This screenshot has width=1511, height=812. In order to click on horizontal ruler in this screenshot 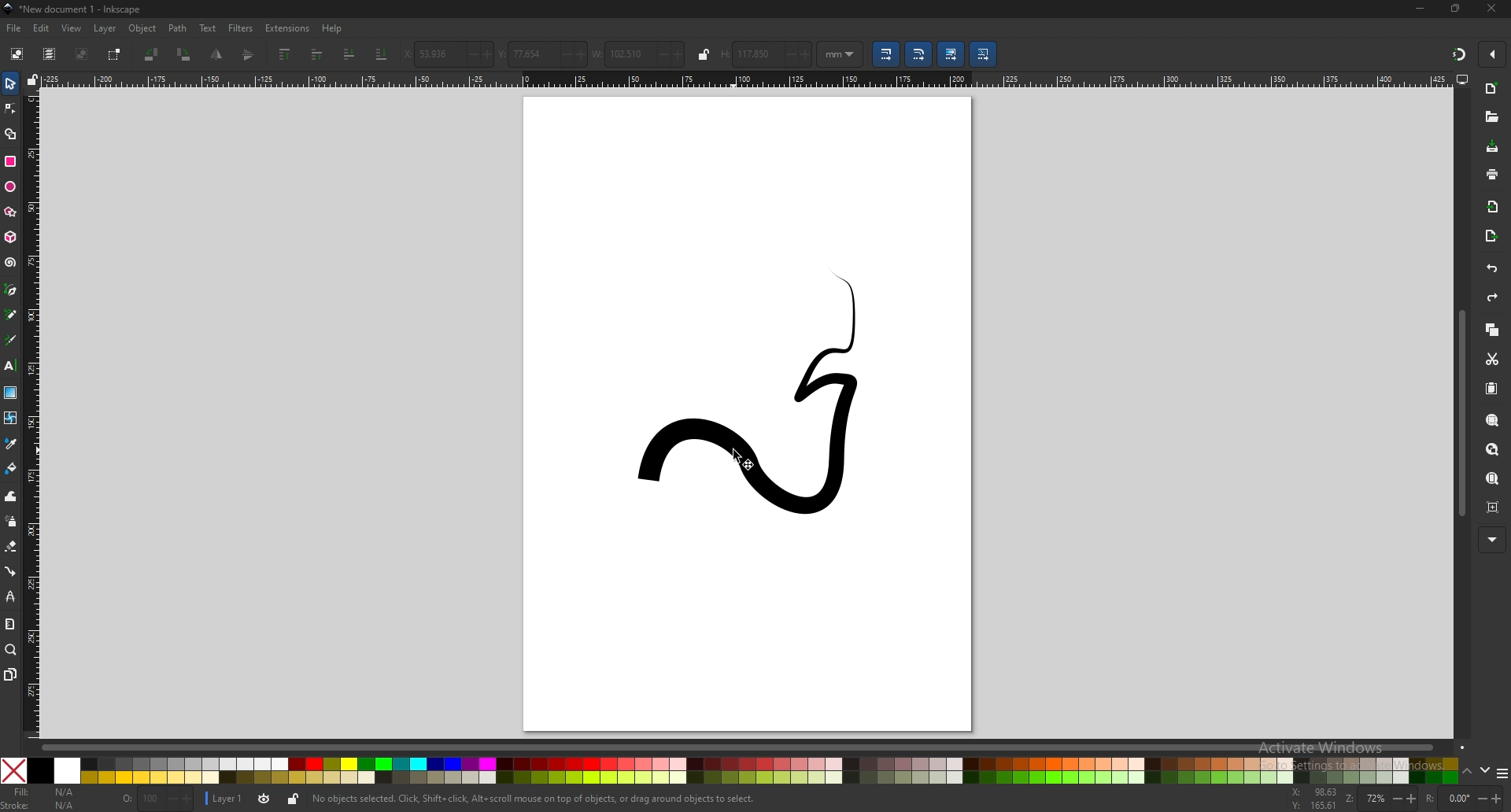, I will do `click(749, 79)`.